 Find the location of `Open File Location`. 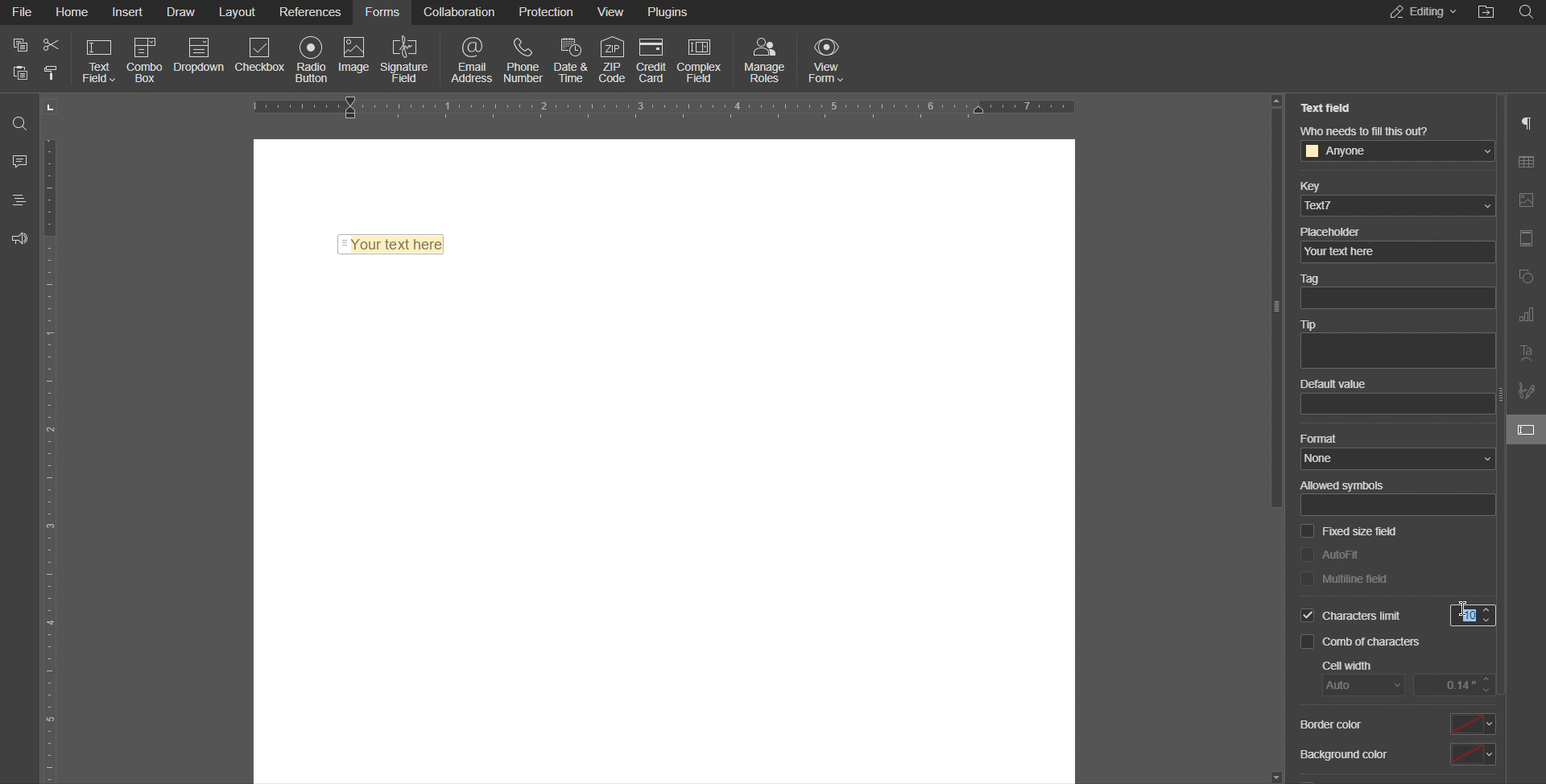

Open File Location is located at coordinates (1487, 13).